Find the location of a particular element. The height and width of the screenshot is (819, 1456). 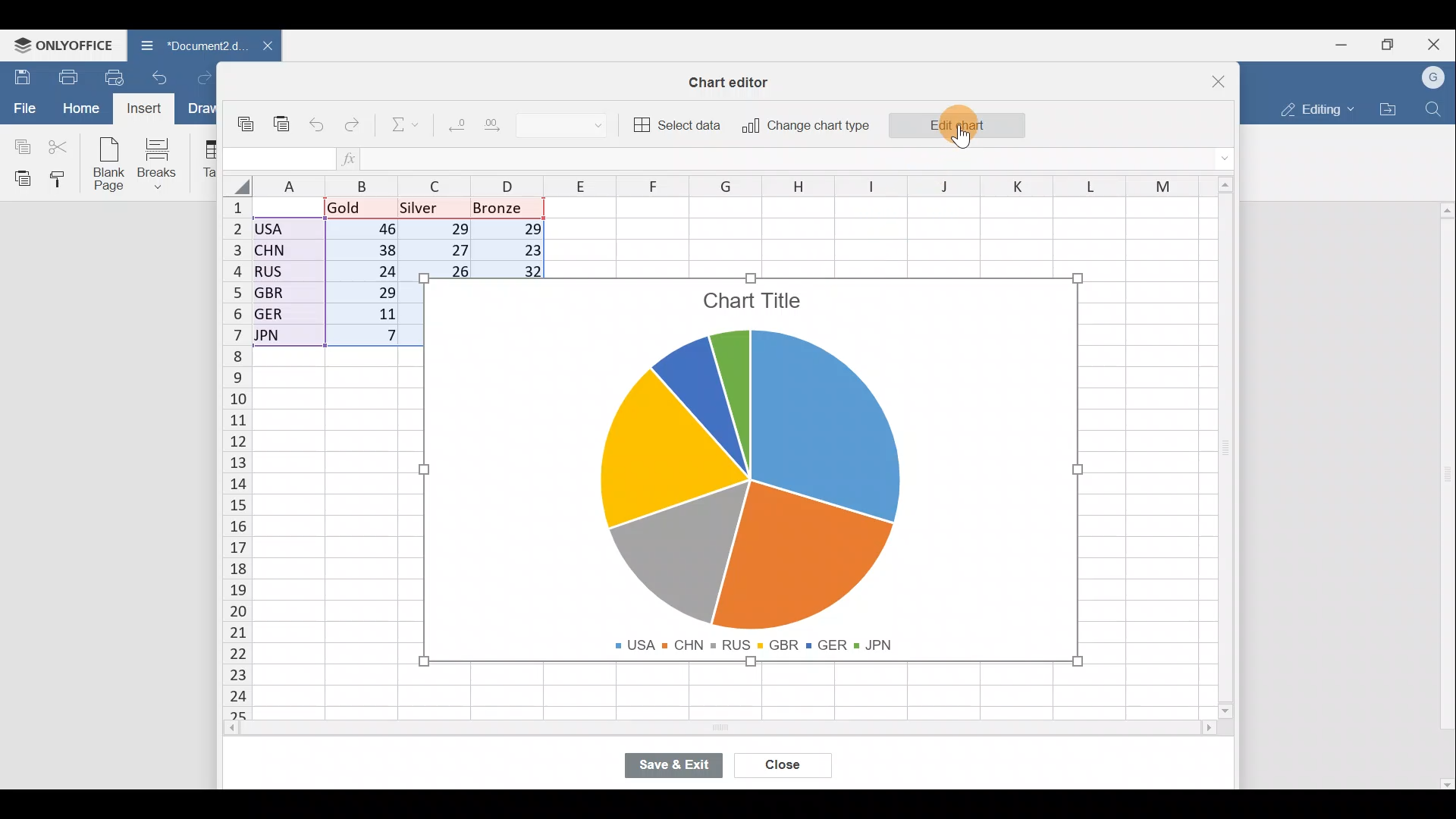

Select data is located at coordinates (676, 123).